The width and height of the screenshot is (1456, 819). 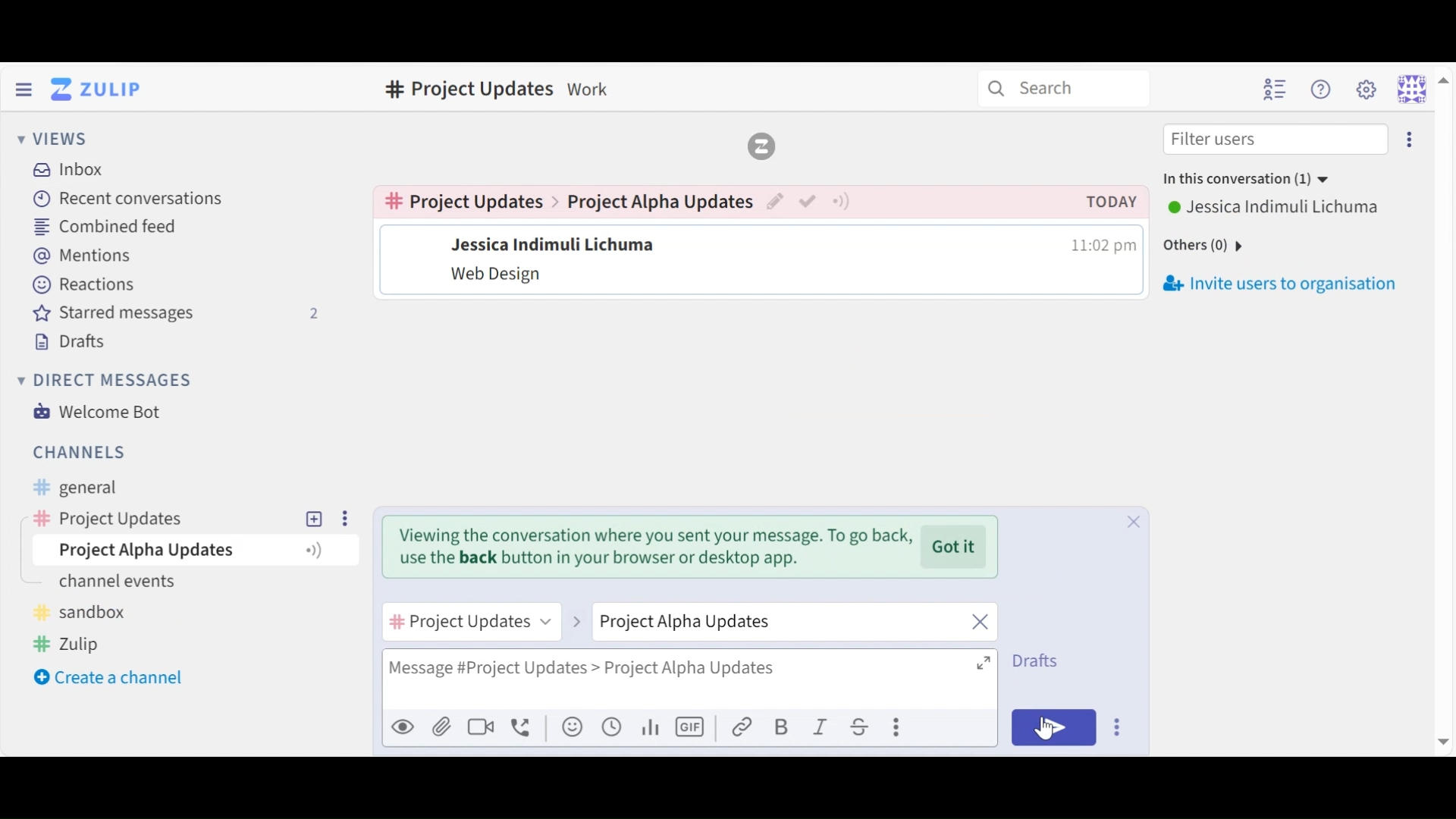 I want to click on Combined feed, so click(x=116, y=226).